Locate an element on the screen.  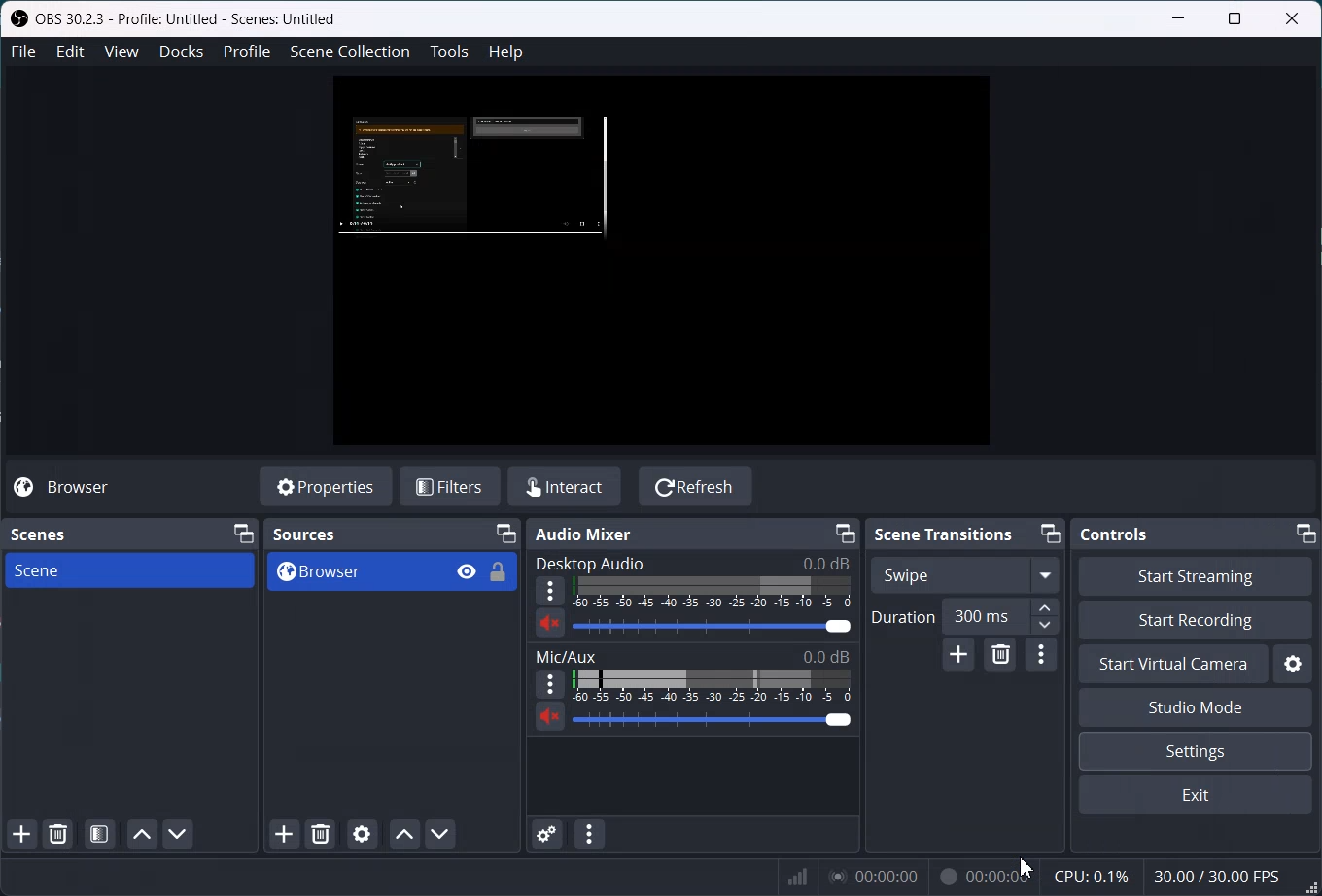
Remove selected Sources is located at coordinates (321, 834).